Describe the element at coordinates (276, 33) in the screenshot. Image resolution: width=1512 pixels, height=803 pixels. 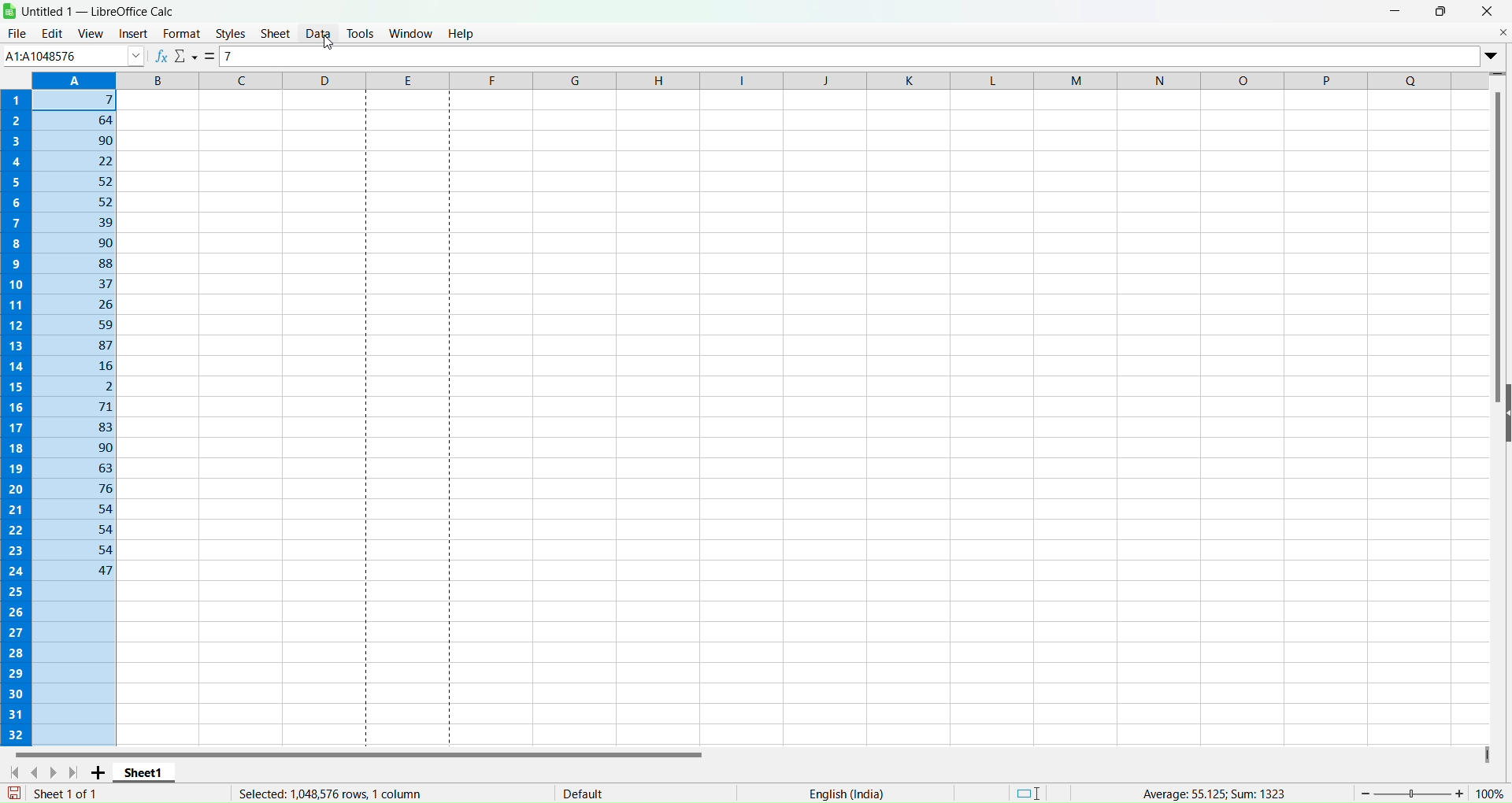
I see `Sheet` at that location.